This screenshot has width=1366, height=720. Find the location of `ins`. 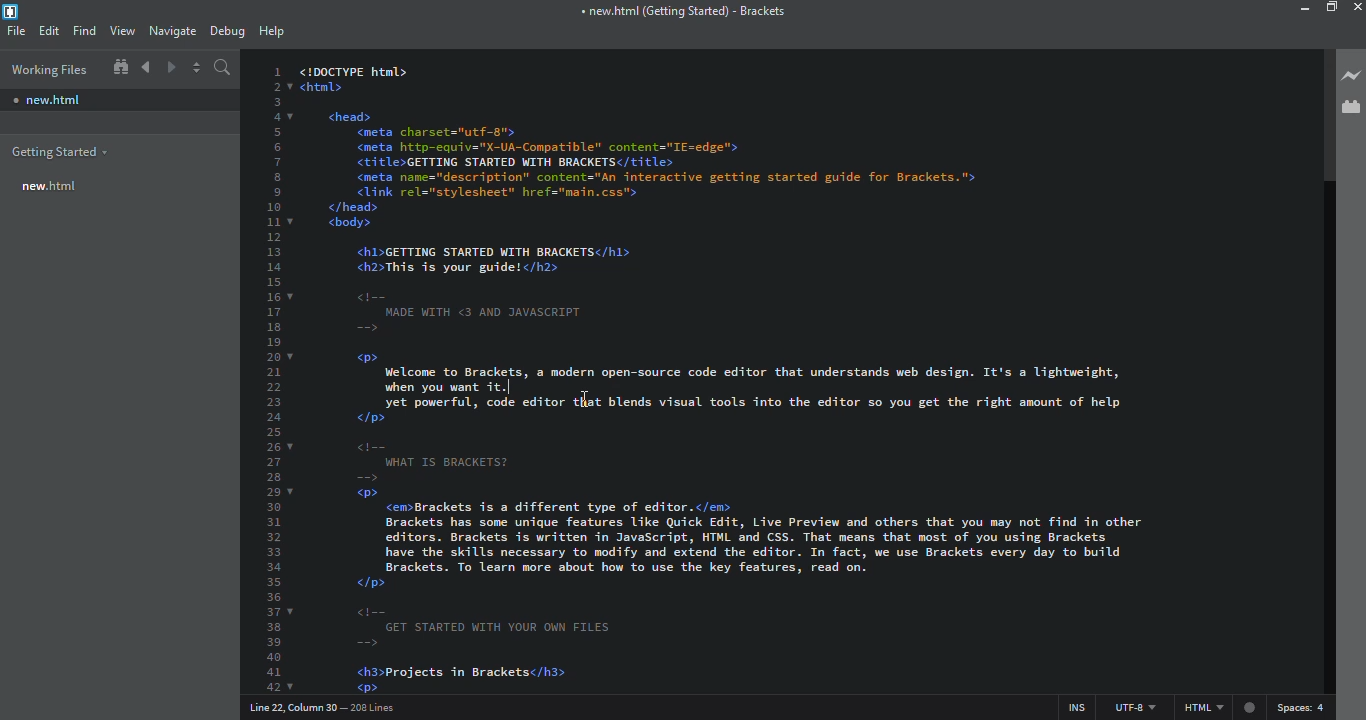

ins is located at coordinates (1073, 706).